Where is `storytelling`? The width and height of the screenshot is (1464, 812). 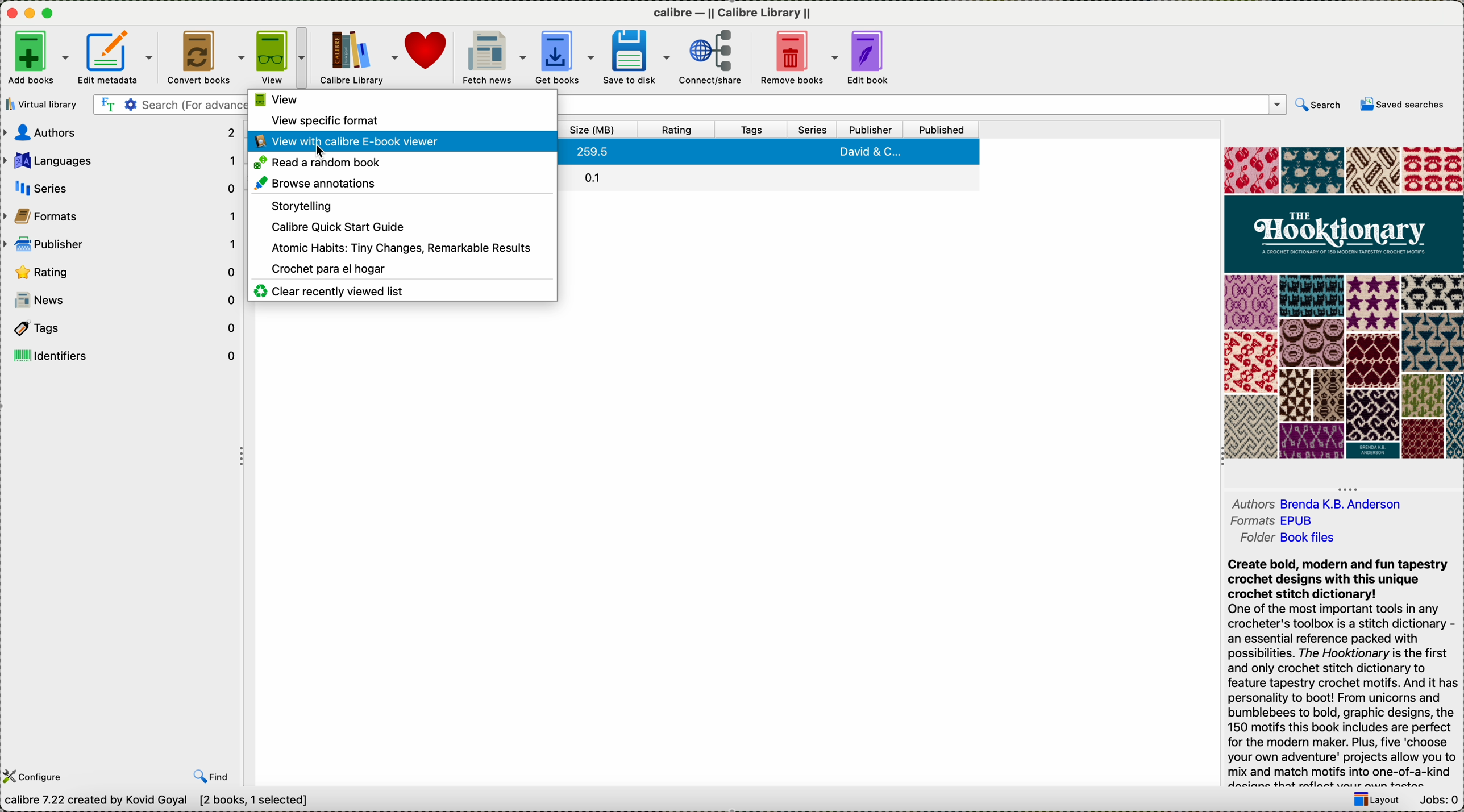 storytelling is located at coordinates (297, 205).